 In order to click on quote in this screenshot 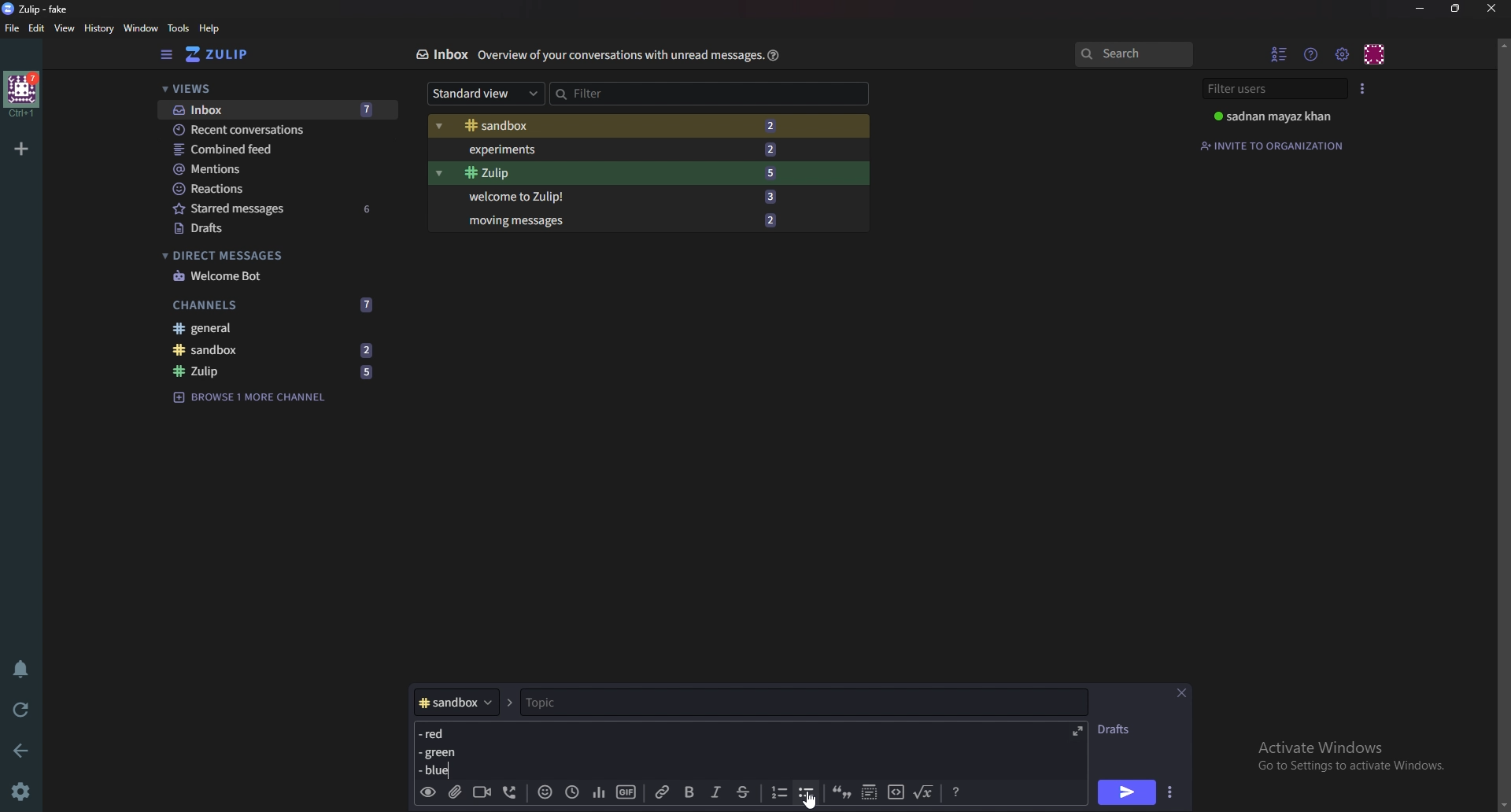, I will do `click(840, 791)`.